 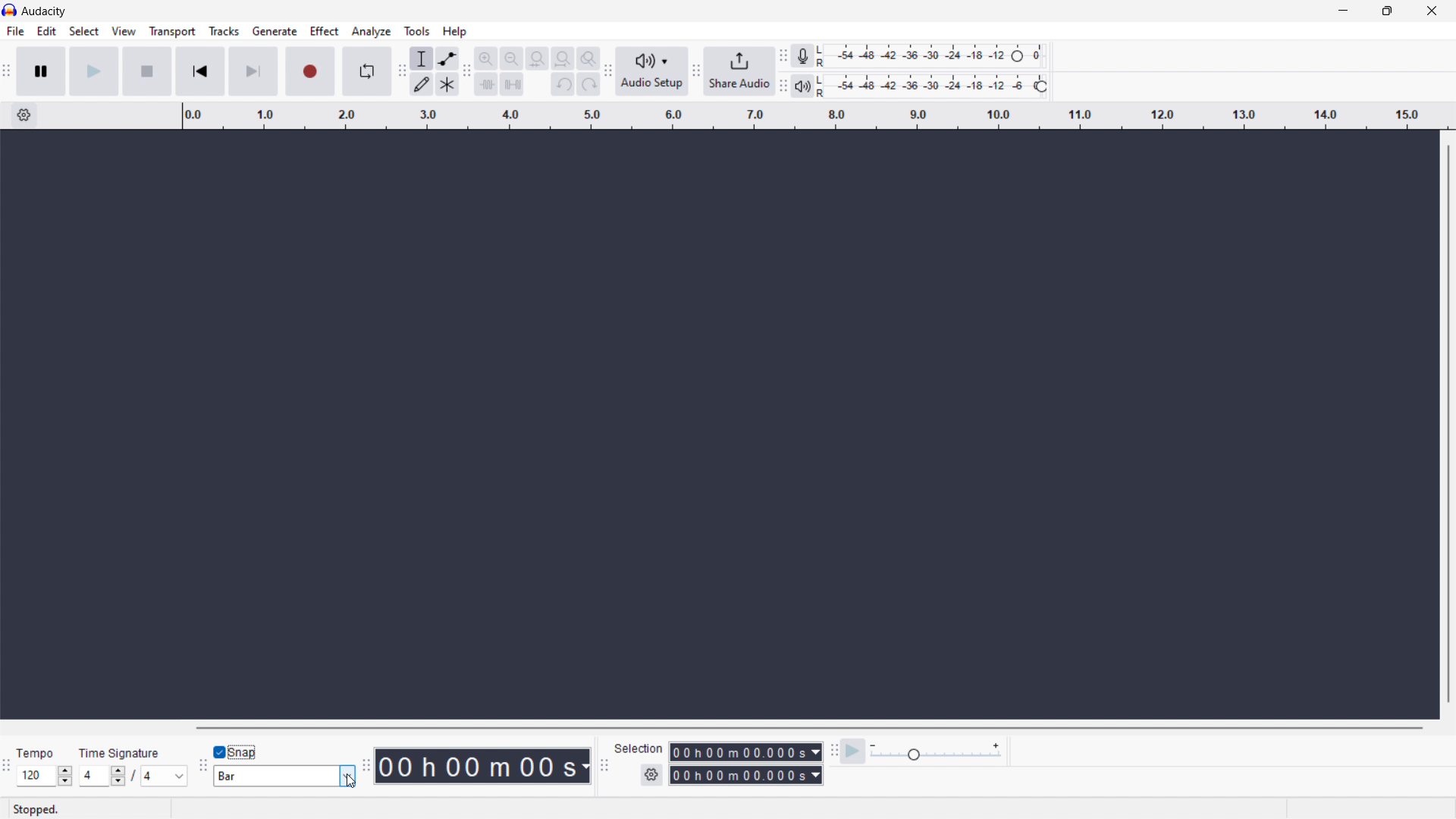 What do you see at coordinates (745, 752) in the screenshot?
I see `selection start time` at bounding box center [745, 752].